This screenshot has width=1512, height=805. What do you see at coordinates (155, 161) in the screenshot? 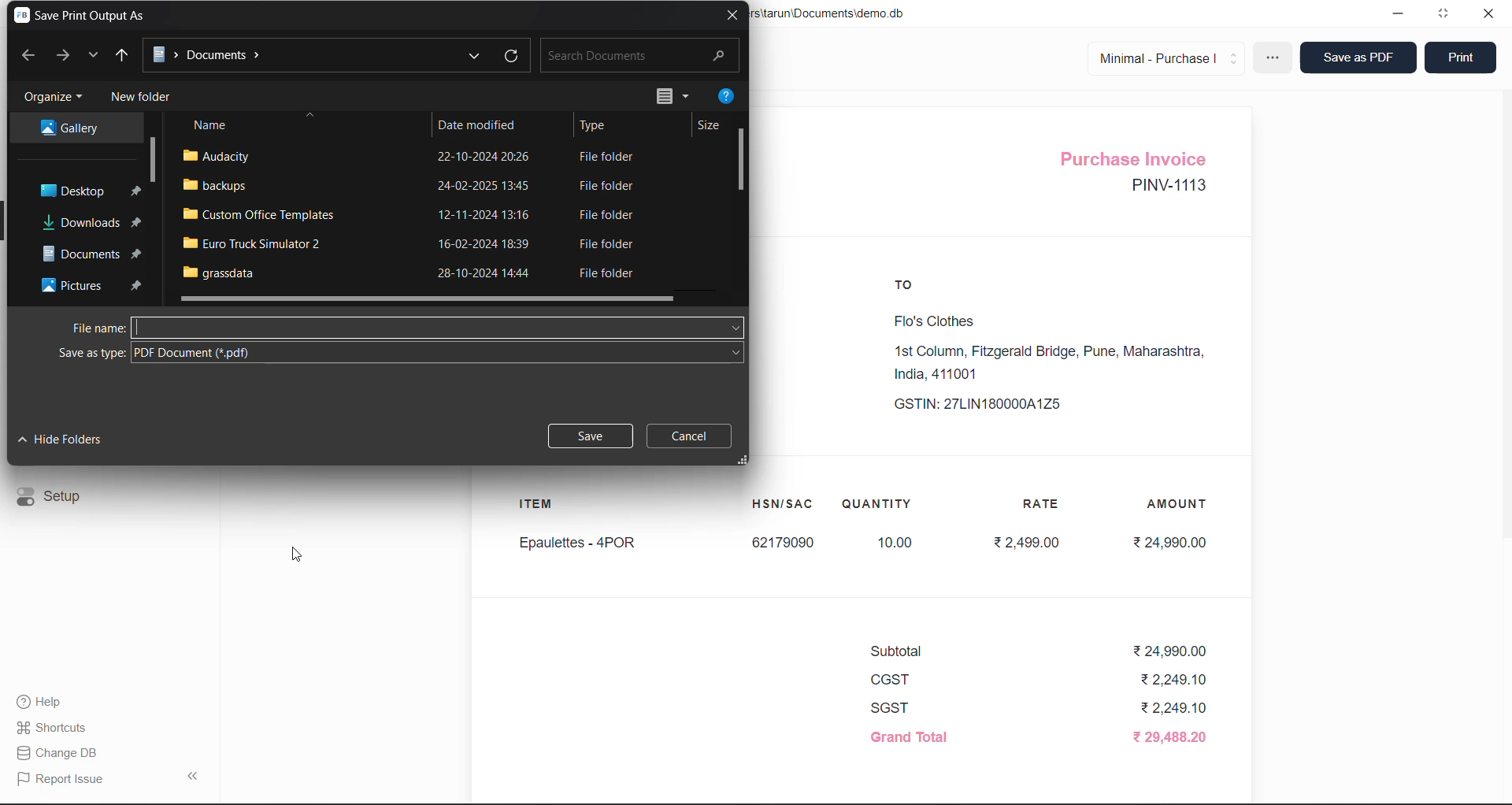
I see `vertical scroll bar` at bounding box center [155, 161].